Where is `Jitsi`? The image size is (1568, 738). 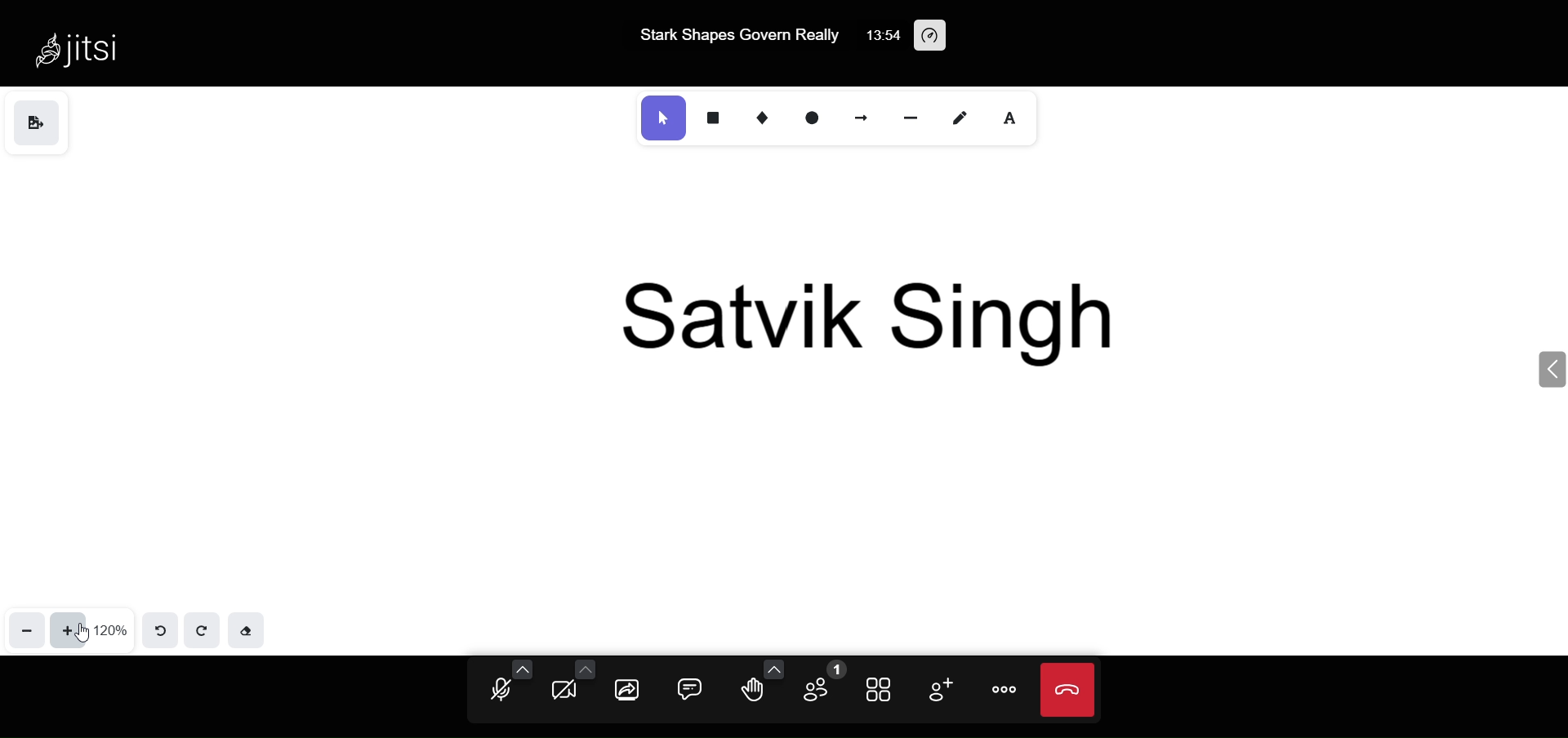 Jitsi is located at coordinates (77, 46).